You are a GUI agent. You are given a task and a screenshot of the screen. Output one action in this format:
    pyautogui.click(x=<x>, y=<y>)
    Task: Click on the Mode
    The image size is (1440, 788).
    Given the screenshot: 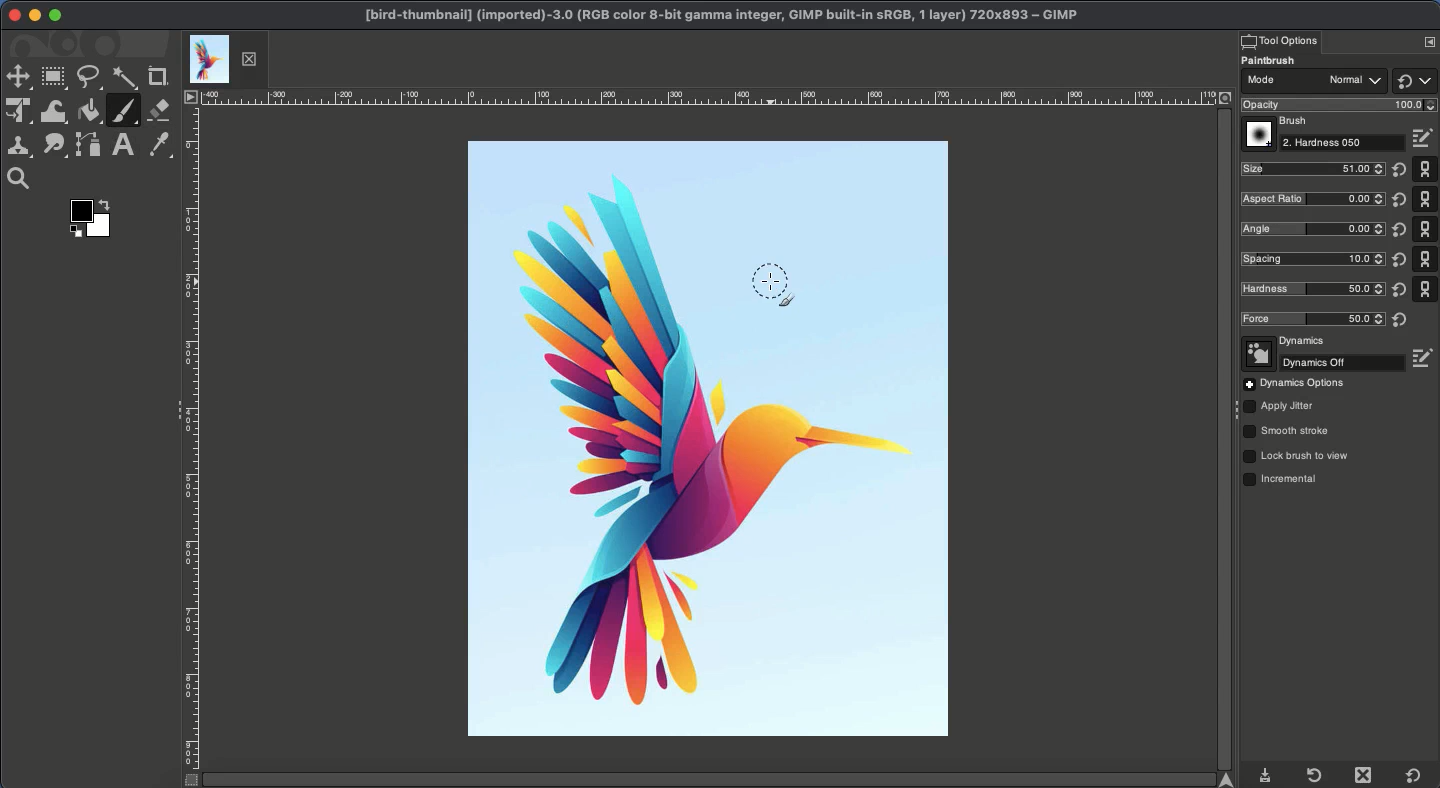 What is the action you would take?
    pyautogui.click(x=1313, y=83)
    